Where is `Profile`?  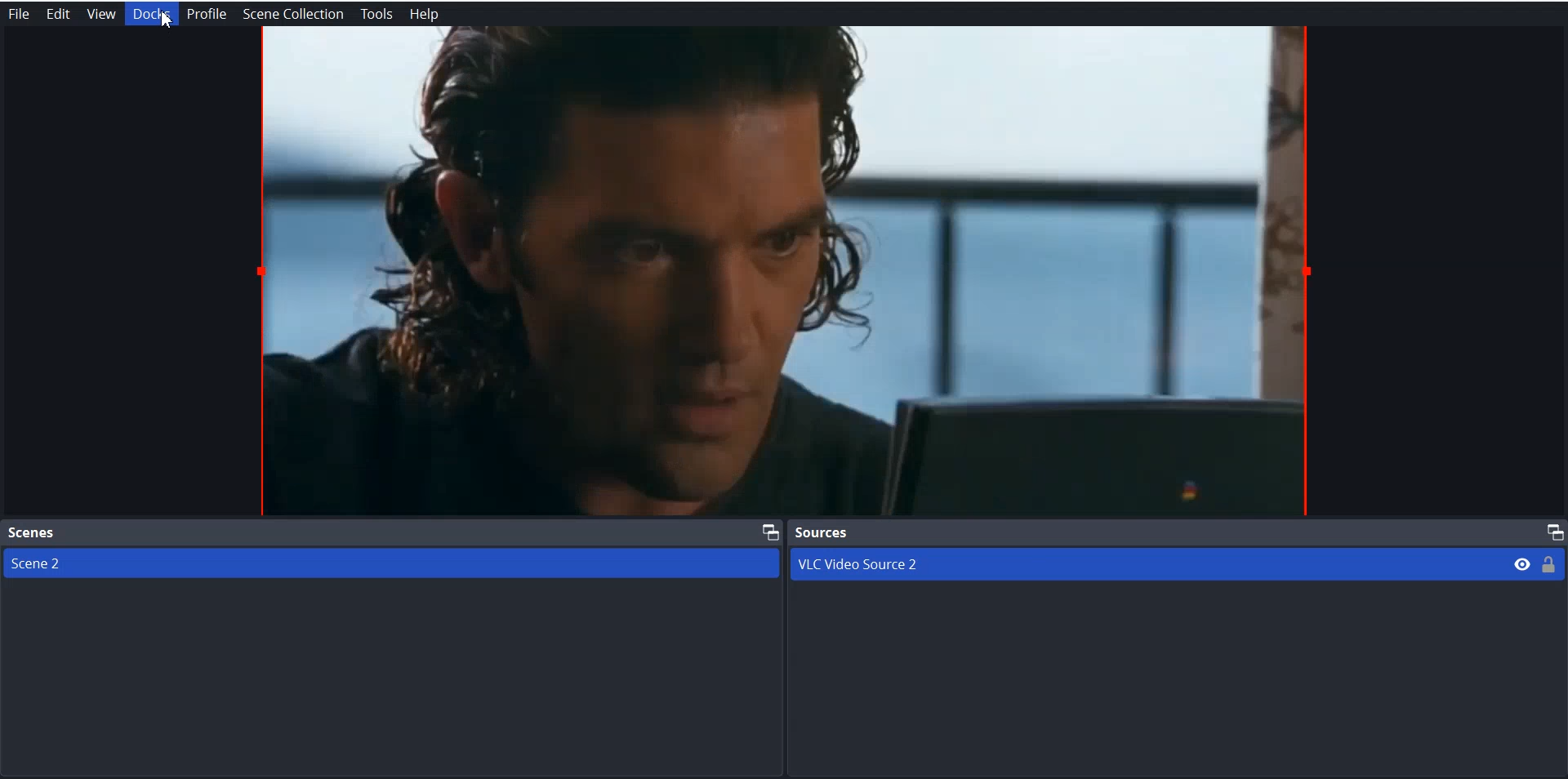 Profile is located at coordinates (207, 14).